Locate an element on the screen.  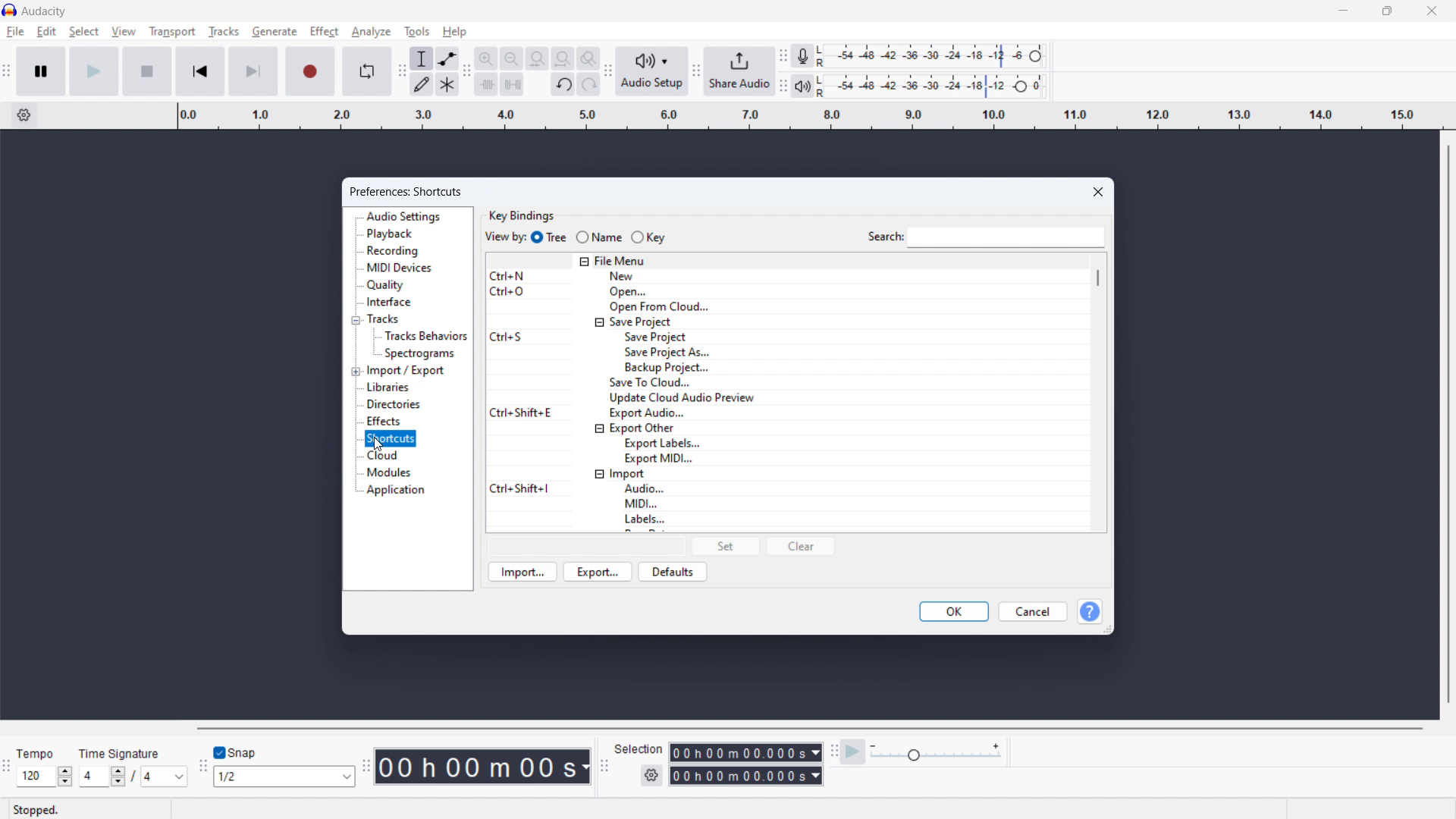
selection tool is located at coordinates (422, 58).